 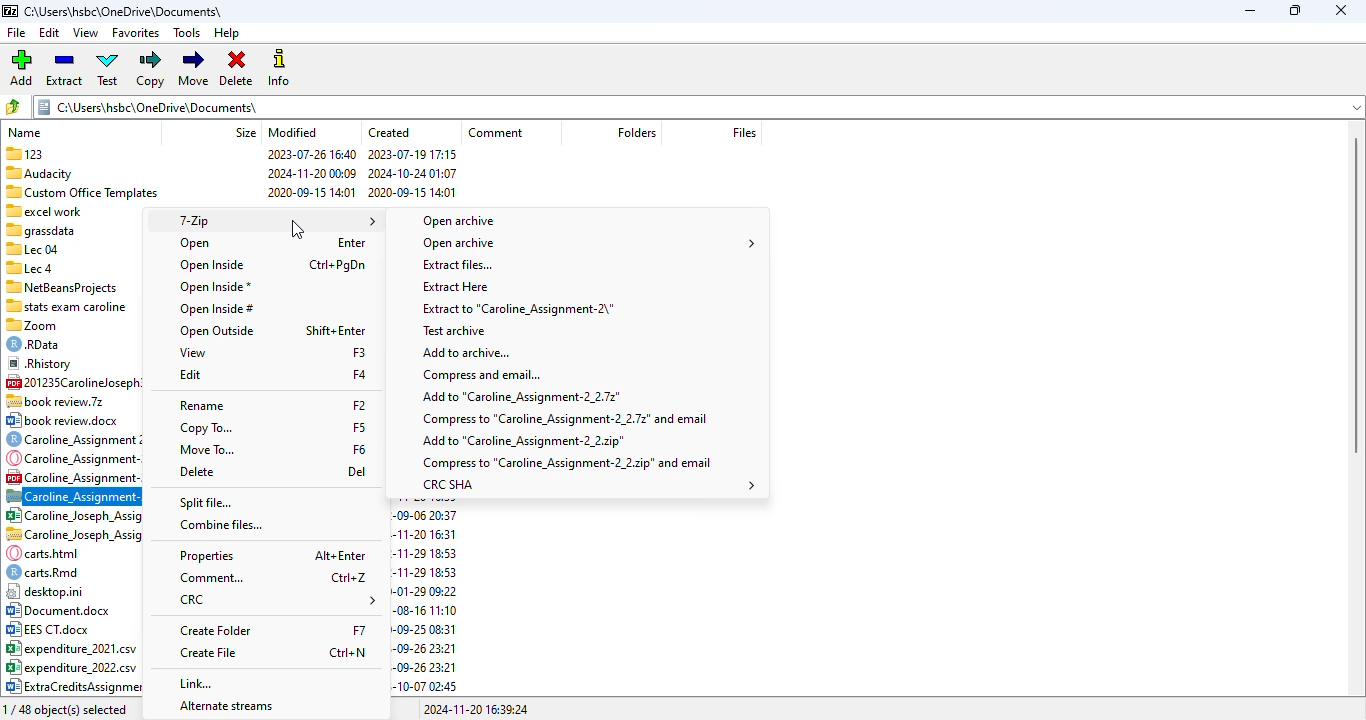 I want to click on ©) Caroline_Assignment 2.... 5703 2023-10-06 15:41 2023-09-26 23:53, so click(x=74, y=438).